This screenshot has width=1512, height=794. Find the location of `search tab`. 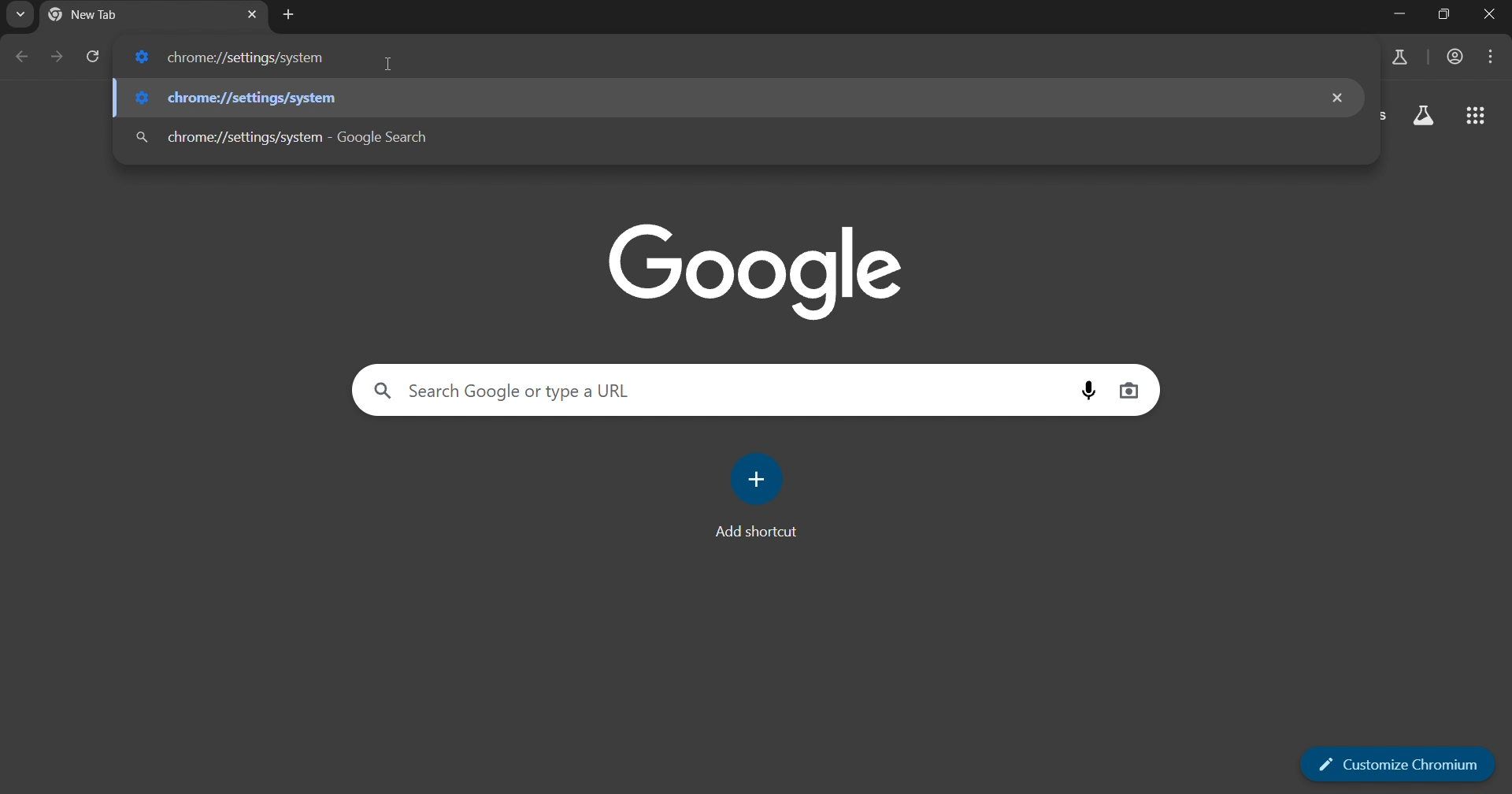

search tab is located at coordinates (17, 17).